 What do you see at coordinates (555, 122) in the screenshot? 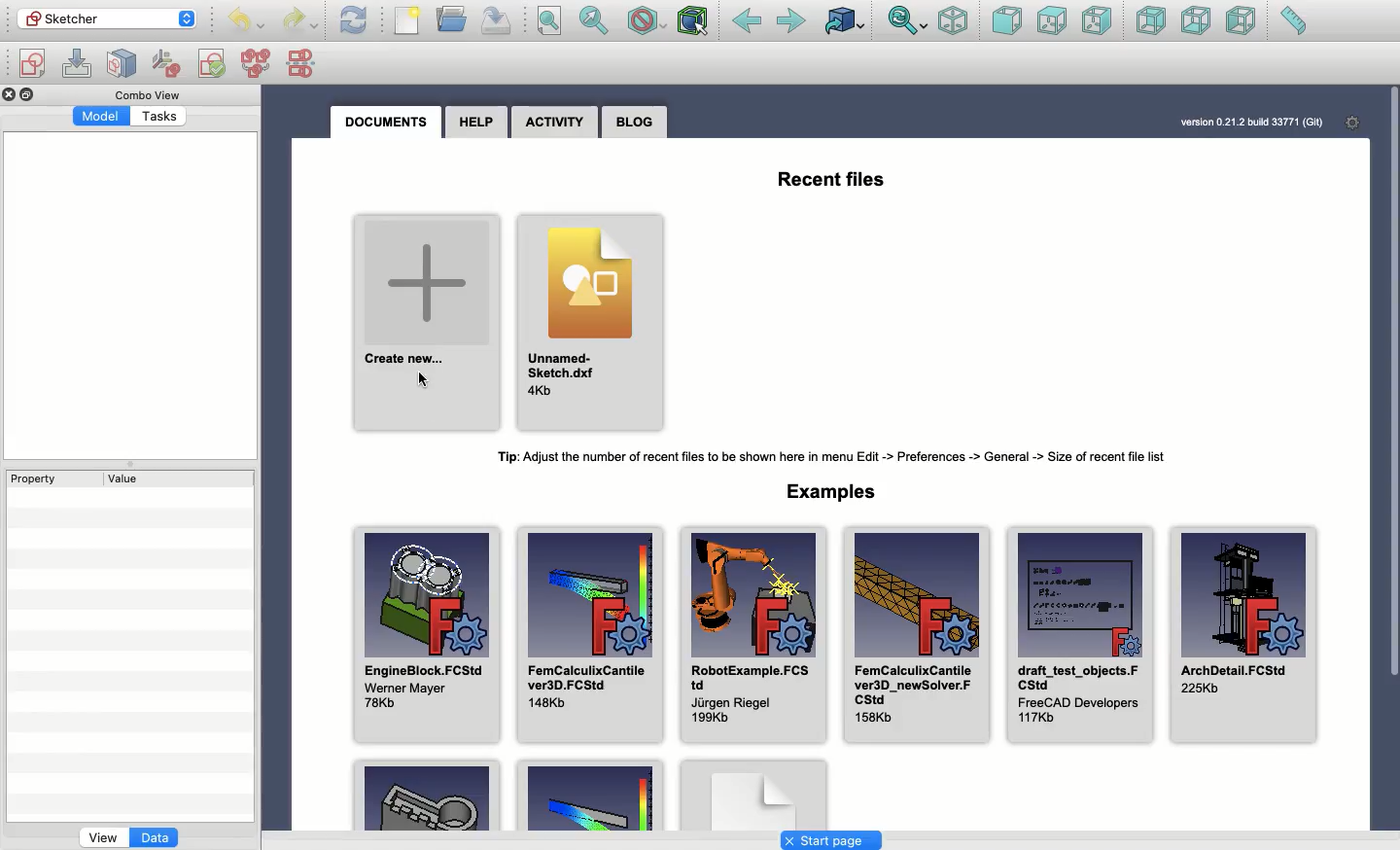
I see `Activity` at bounding box center [555, 122].